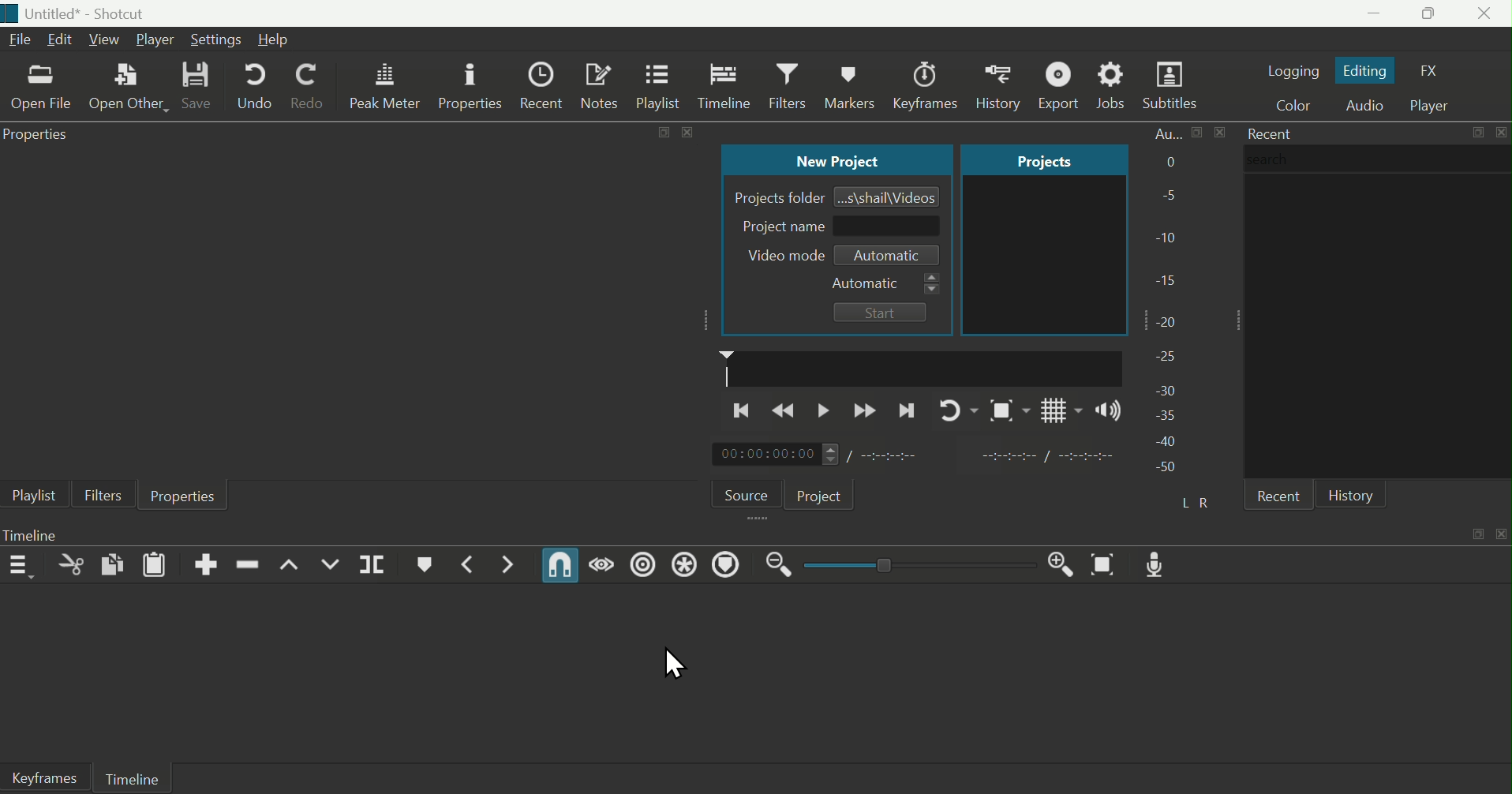  Describe the element at coordinates (884, 284) in the screenshot. I see `Automatic` at that location.